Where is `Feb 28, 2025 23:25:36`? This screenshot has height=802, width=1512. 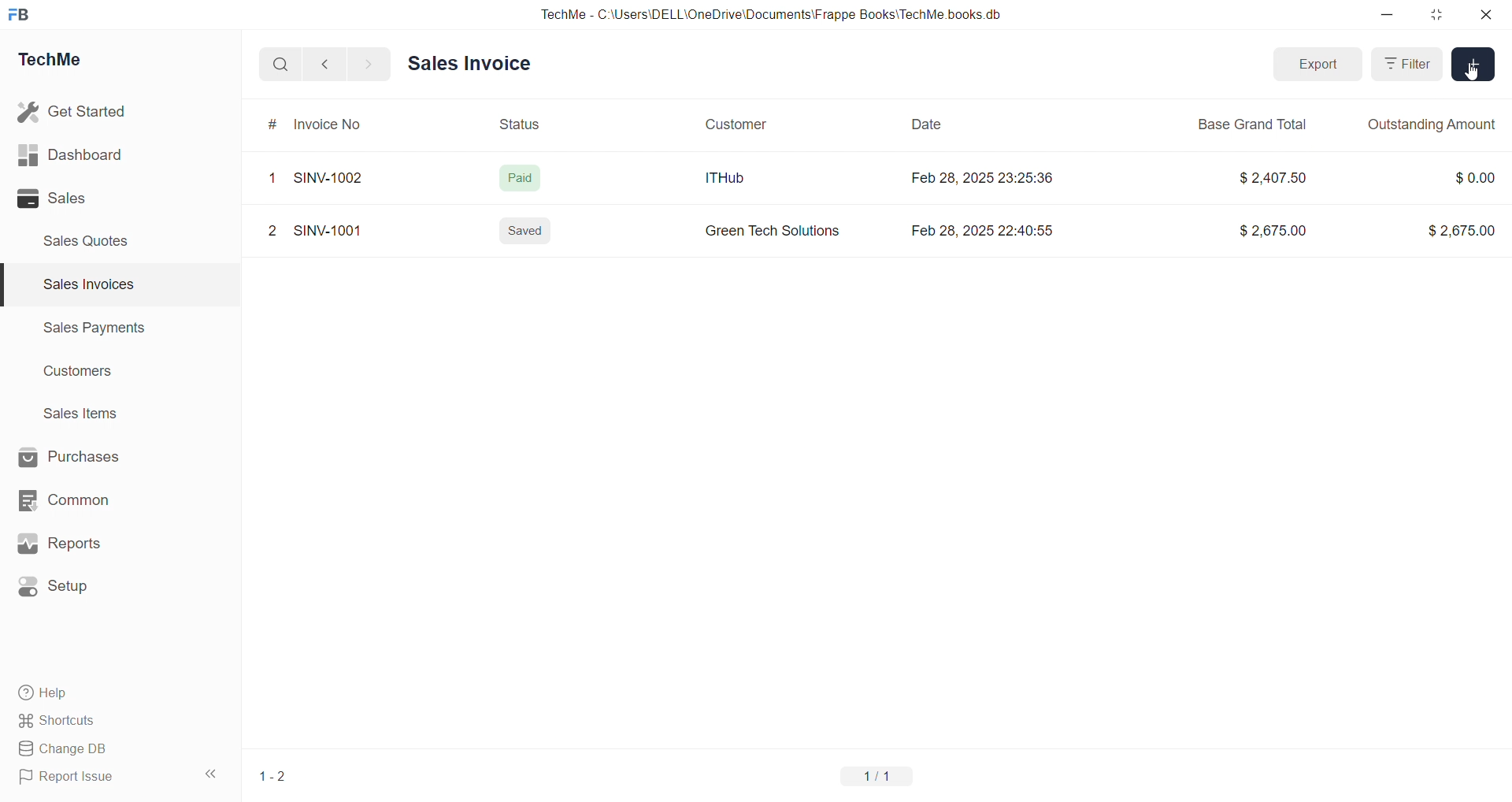
Feb 28, 2025 23:25:36 is located at coordinates (984, 183).